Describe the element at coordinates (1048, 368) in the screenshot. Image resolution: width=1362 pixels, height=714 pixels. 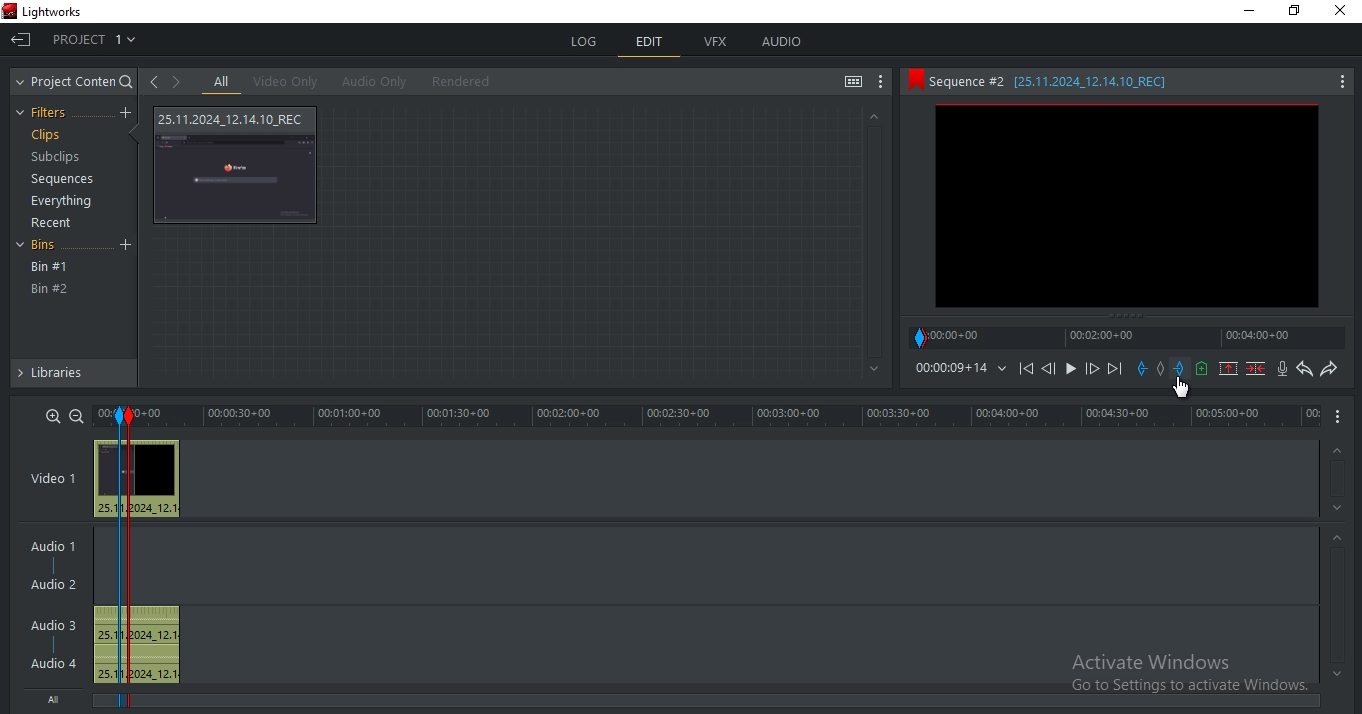
I see `Previous` at that location.